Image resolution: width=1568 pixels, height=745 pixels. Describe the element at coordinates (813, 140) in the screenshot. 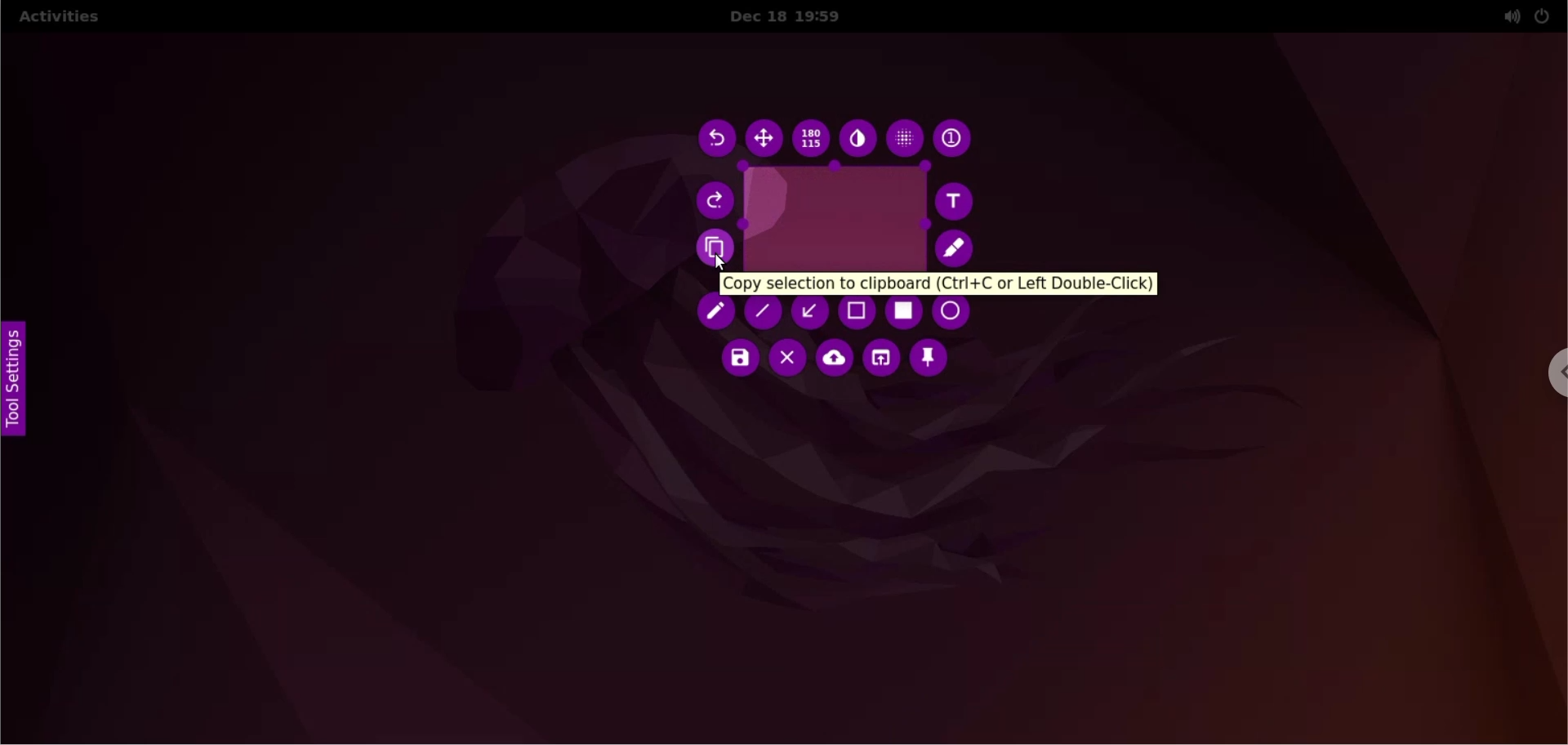

I see `x and y values` at that location.